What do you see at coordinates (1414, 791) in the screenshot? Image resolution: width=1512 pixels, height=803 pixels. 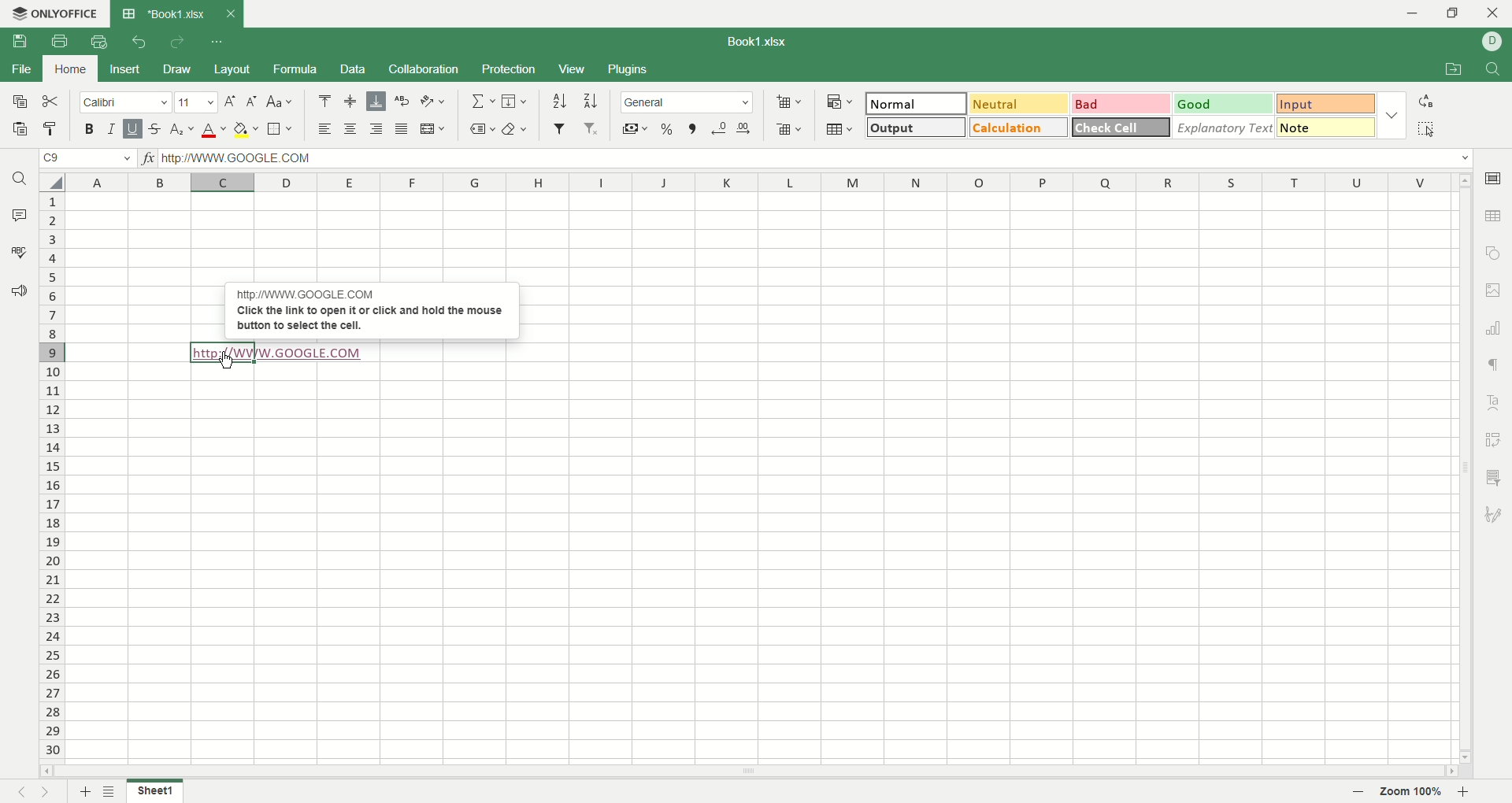 I see `zoom percent` at bounding box center [1414, 791].